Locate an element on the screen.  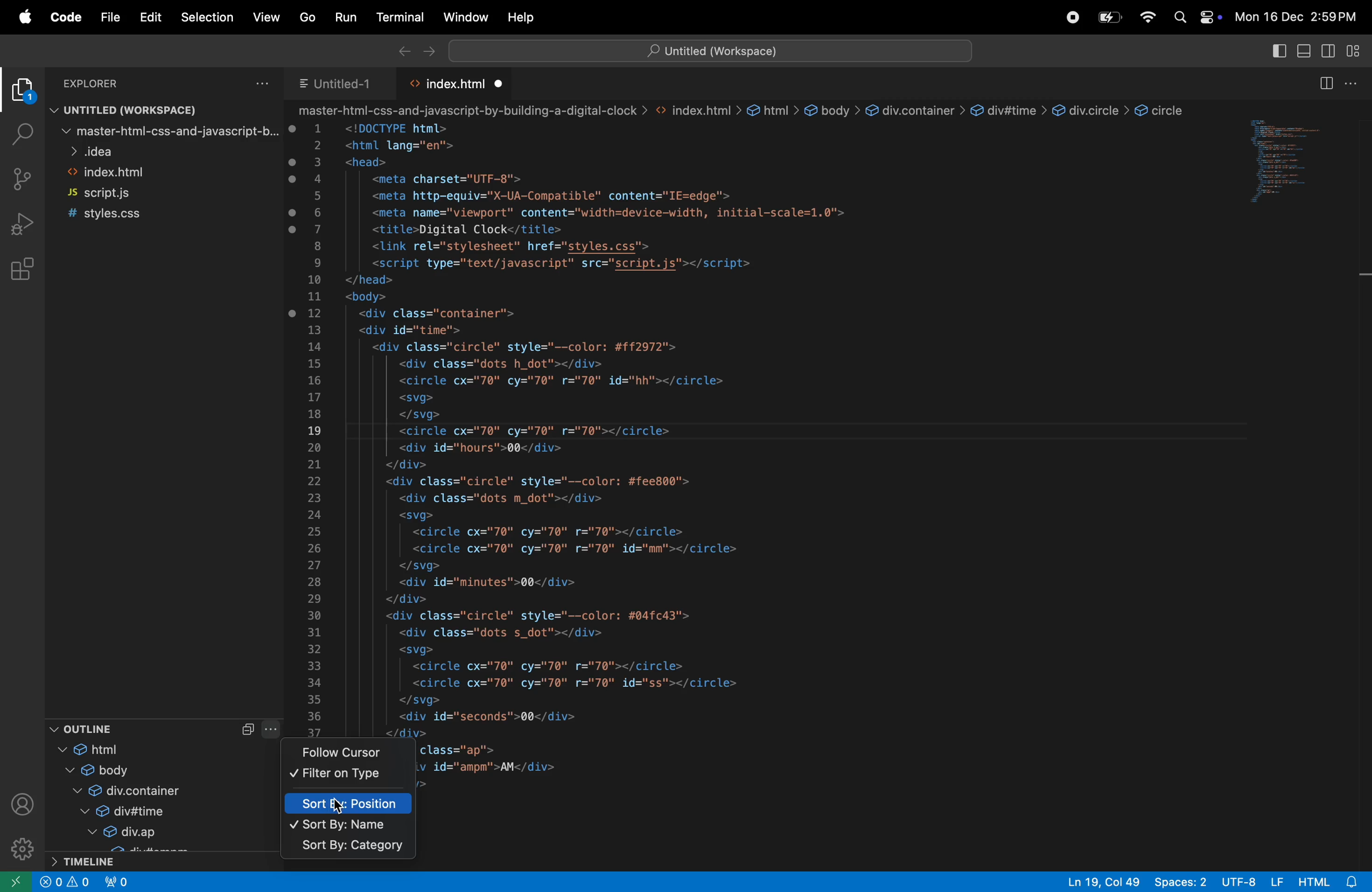
-html-css-and-javascript-by-building-a-digital-clock > <> index.html > & html > € body > & div.container > &@ div#time > &@ div.circle > @ circle is located at coordinates (747, 110).